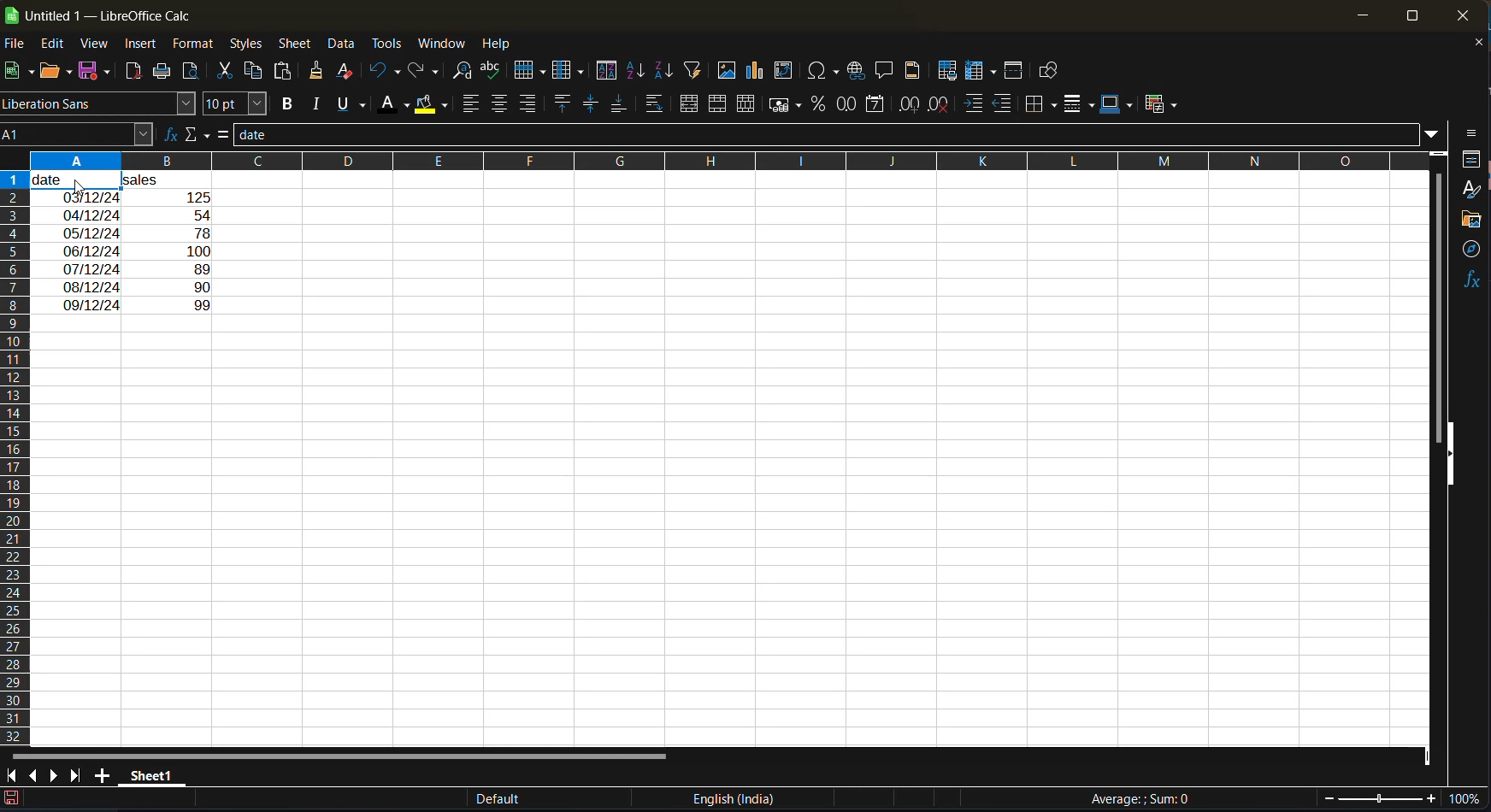  Describe the element at coordinates (474, 103) in the screenshot. I see `align left` at that location.